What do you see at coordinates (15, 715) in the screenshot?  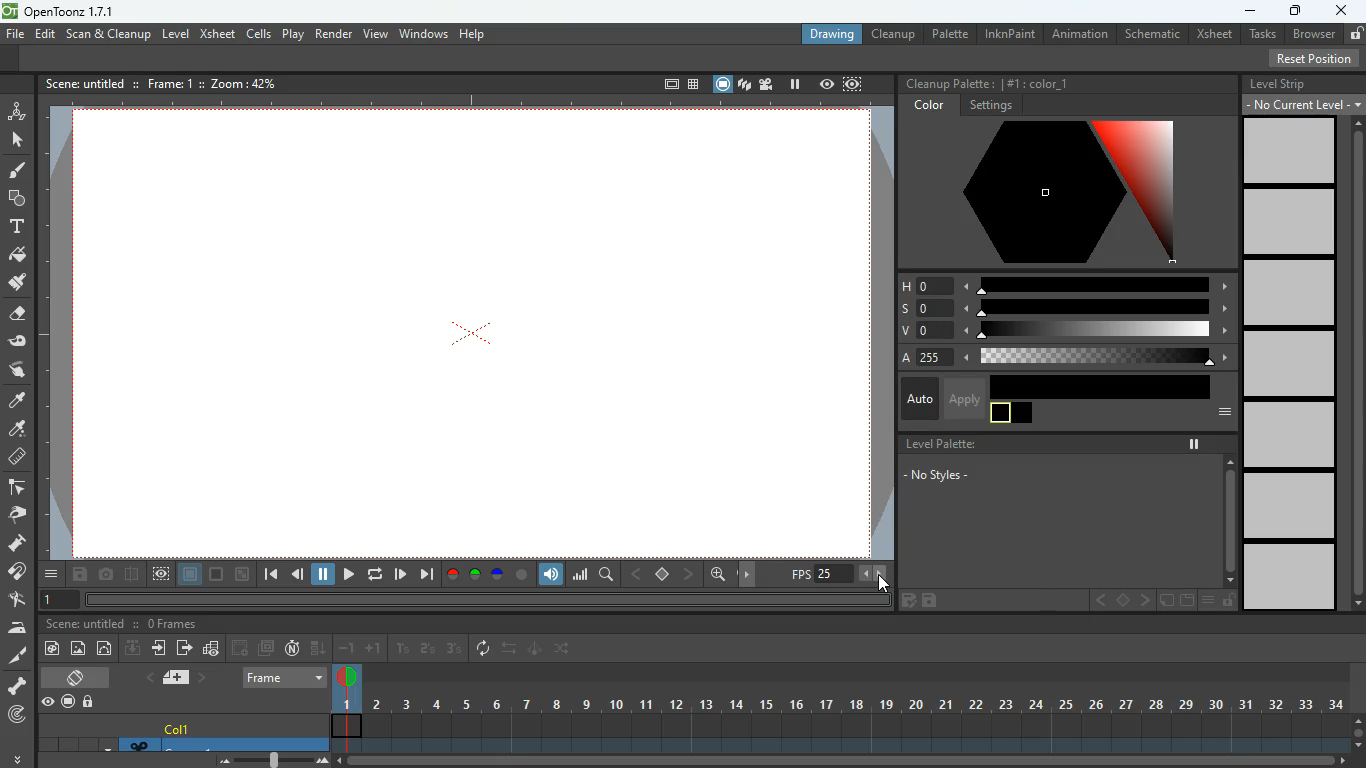 I see `radar` at bounding box center [15, 715].